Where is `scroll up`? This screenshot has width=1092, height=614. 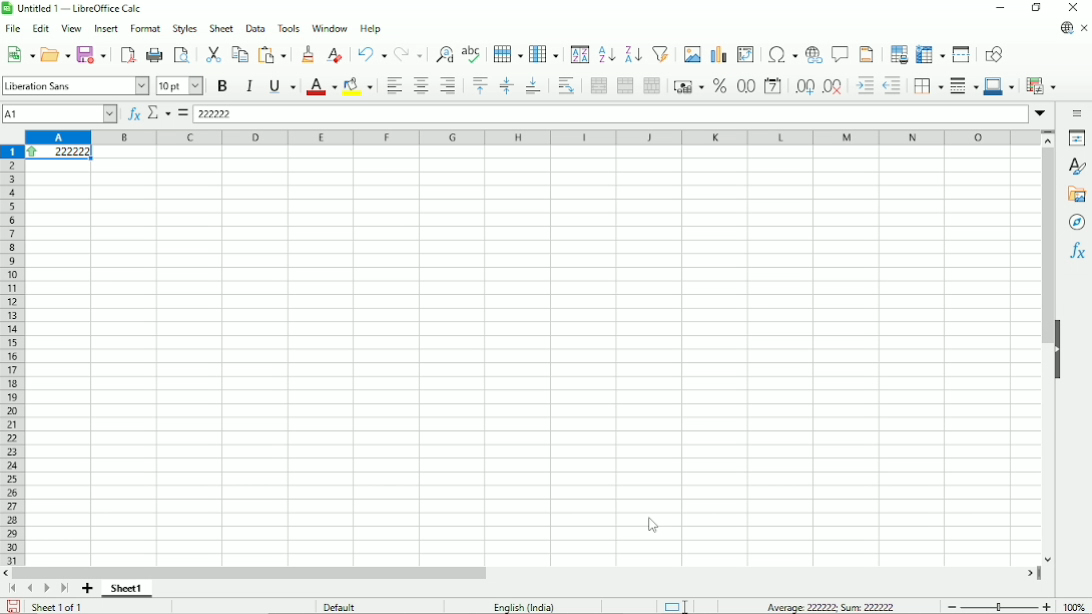
scroll up is located at coordinates (1049, 139).